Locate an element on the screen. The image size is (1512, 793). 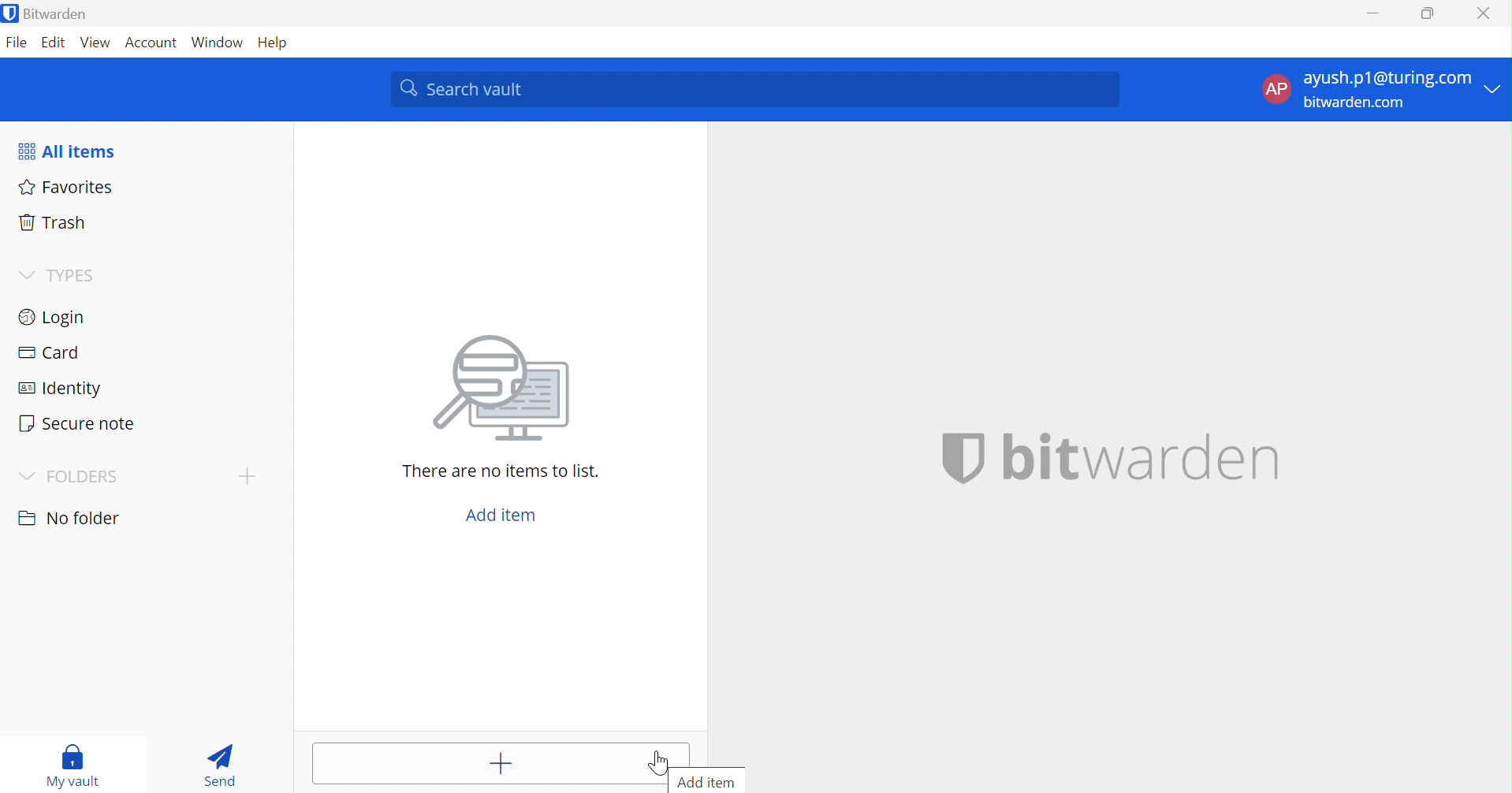
Send is located at coordinates (224, 764).